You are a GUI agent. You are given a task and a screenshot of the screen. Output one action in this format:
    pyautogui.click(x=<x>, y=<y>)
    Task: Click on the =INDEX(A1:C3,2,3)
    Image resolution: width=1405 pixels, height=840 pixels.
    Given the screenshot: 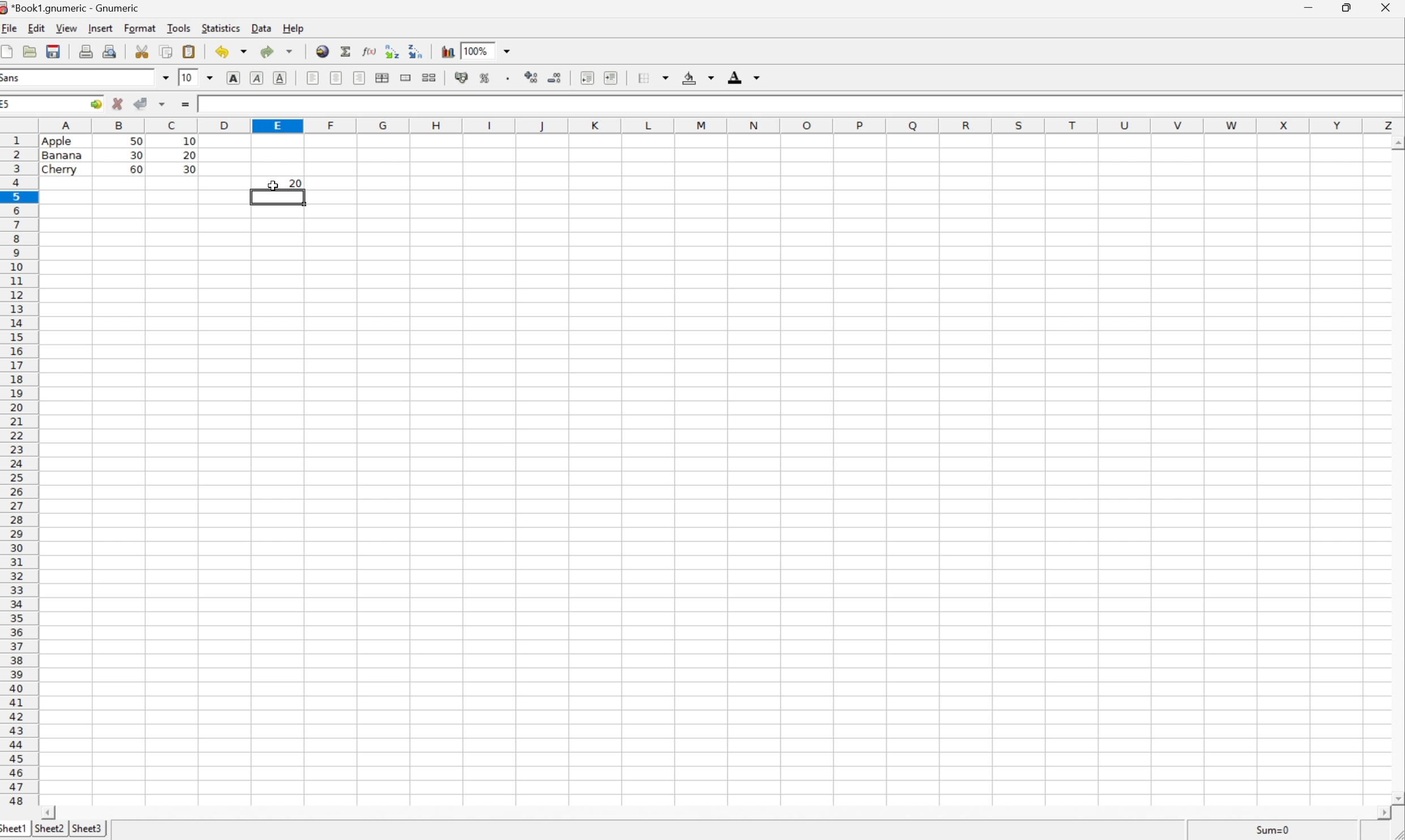 What is the action you would take?
    pyautogui.click(x=263, y=103)
    